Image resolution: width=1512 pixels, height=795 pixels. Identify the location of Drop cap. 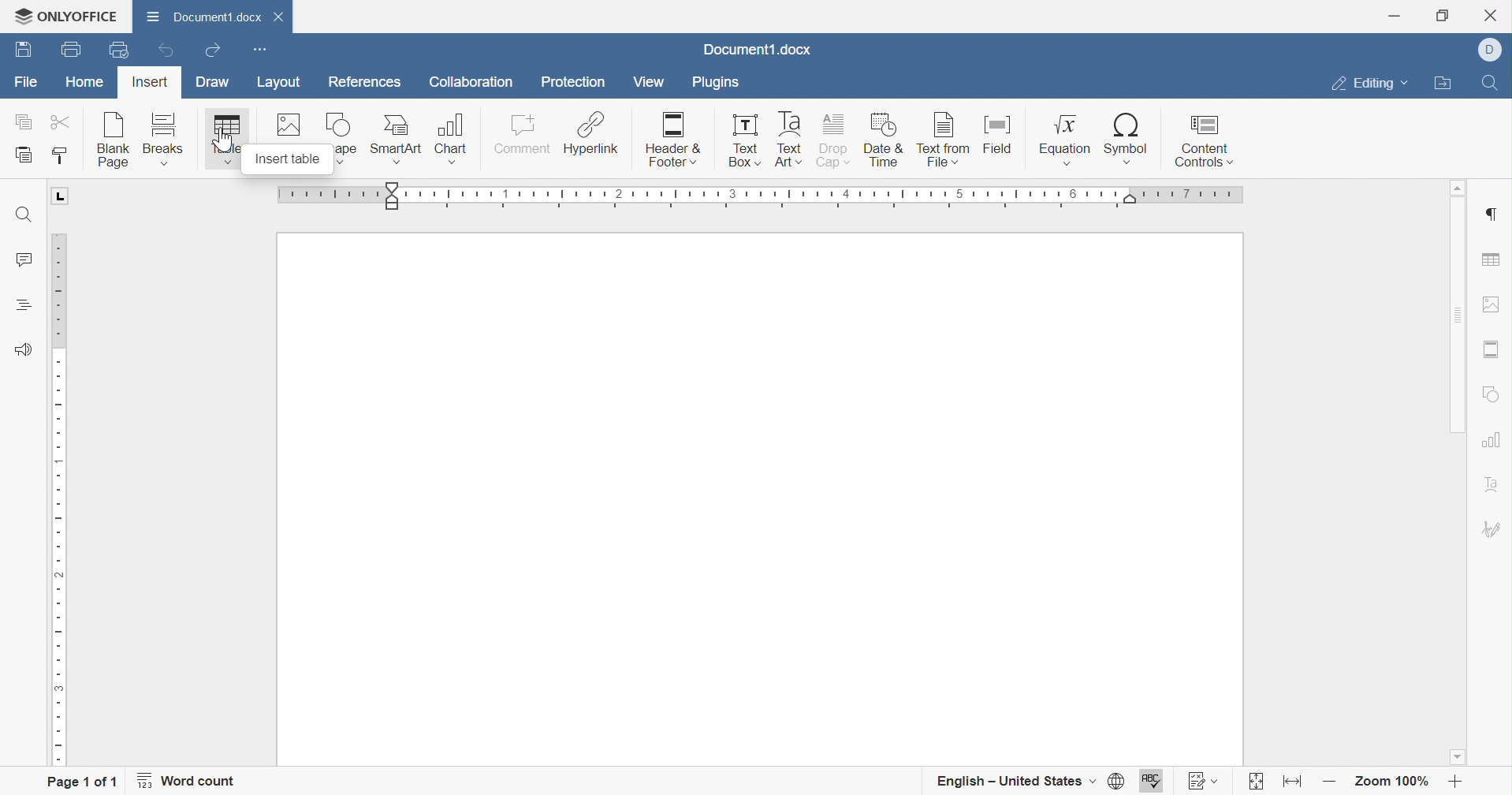
(837, 143).